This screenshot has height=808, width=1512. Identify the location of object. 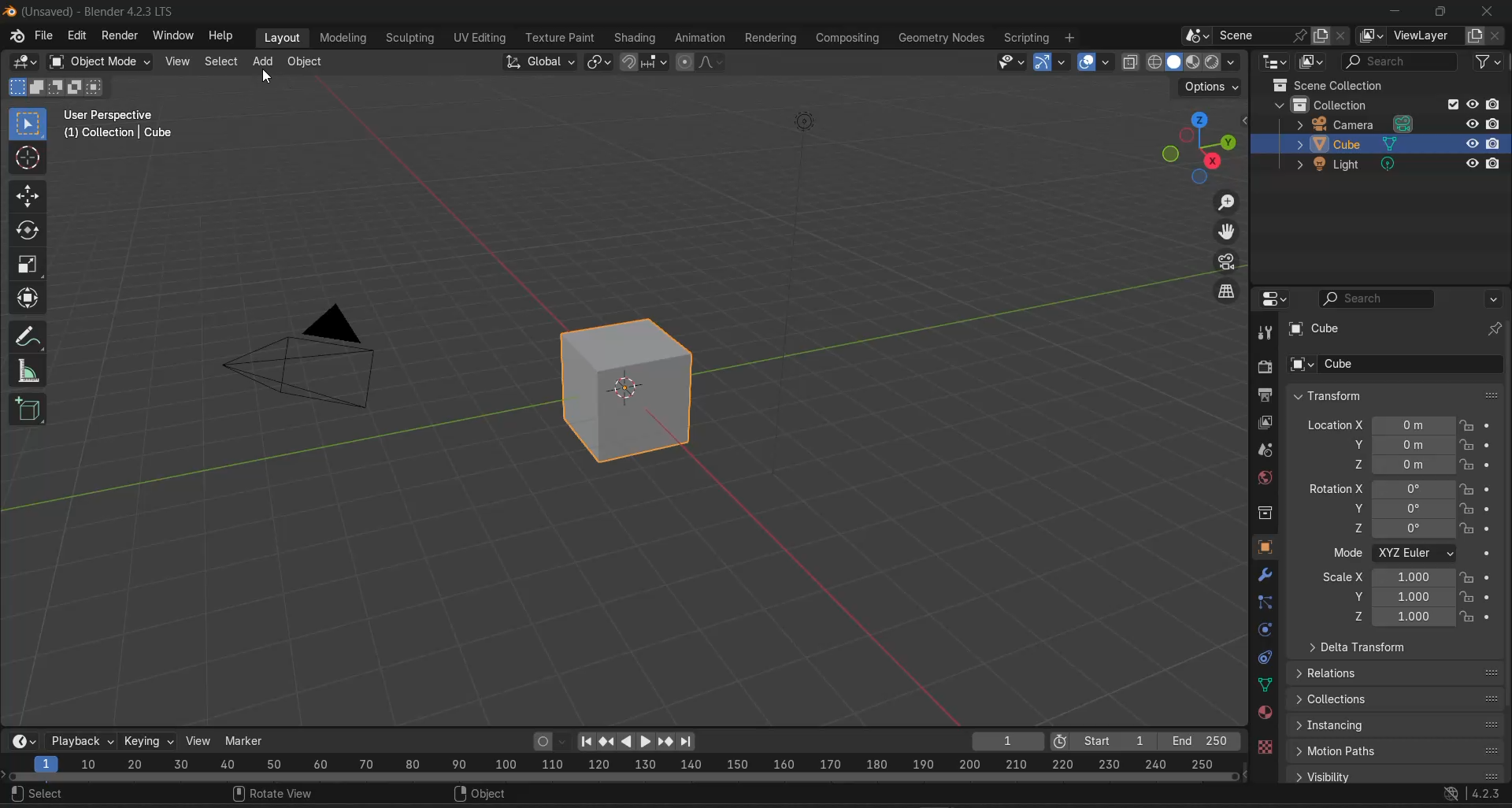
(1266, 547).